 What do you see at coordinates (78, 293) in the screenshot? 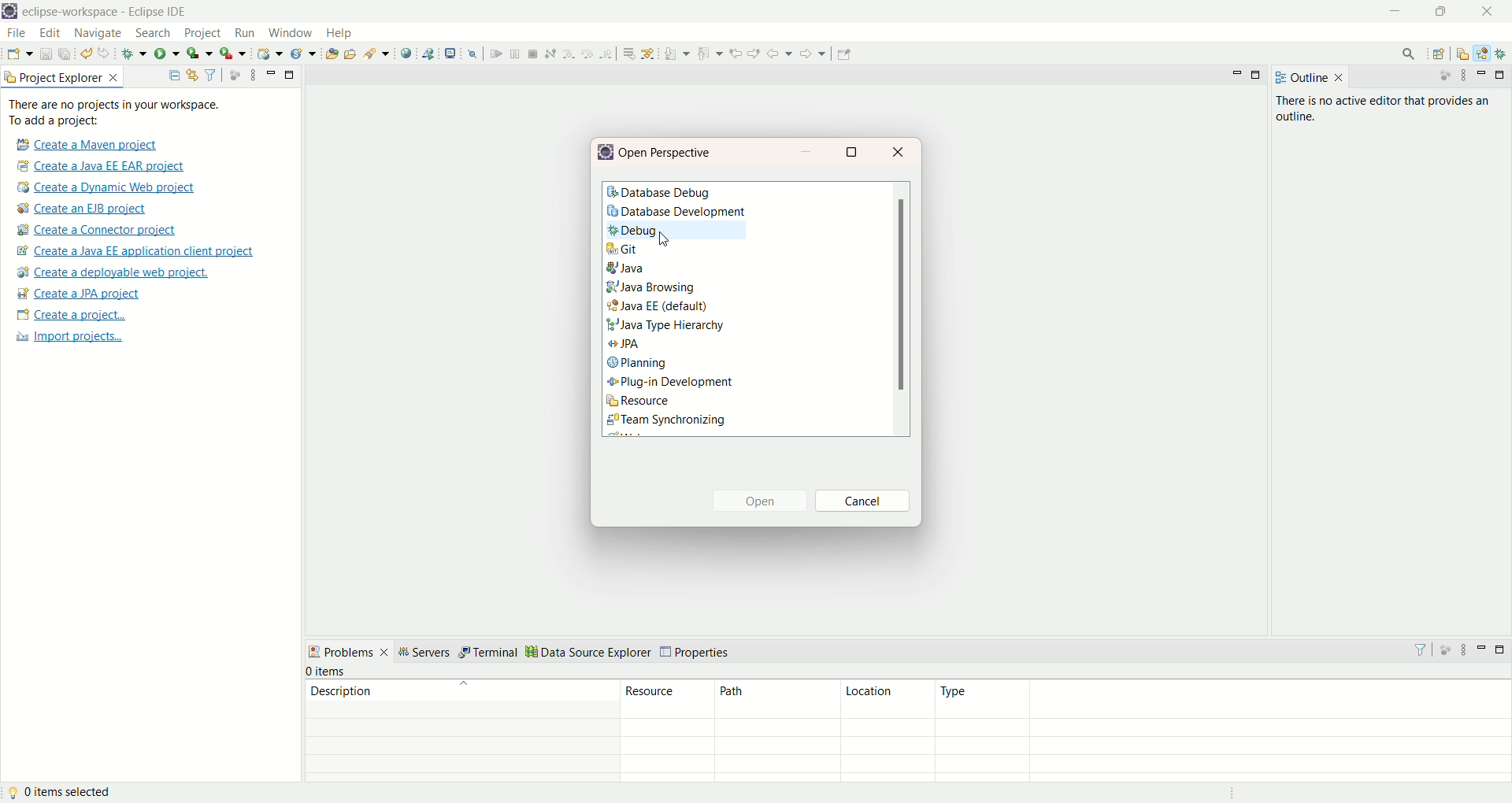
I see `create a JPA project` at bounding box center [78, 293].